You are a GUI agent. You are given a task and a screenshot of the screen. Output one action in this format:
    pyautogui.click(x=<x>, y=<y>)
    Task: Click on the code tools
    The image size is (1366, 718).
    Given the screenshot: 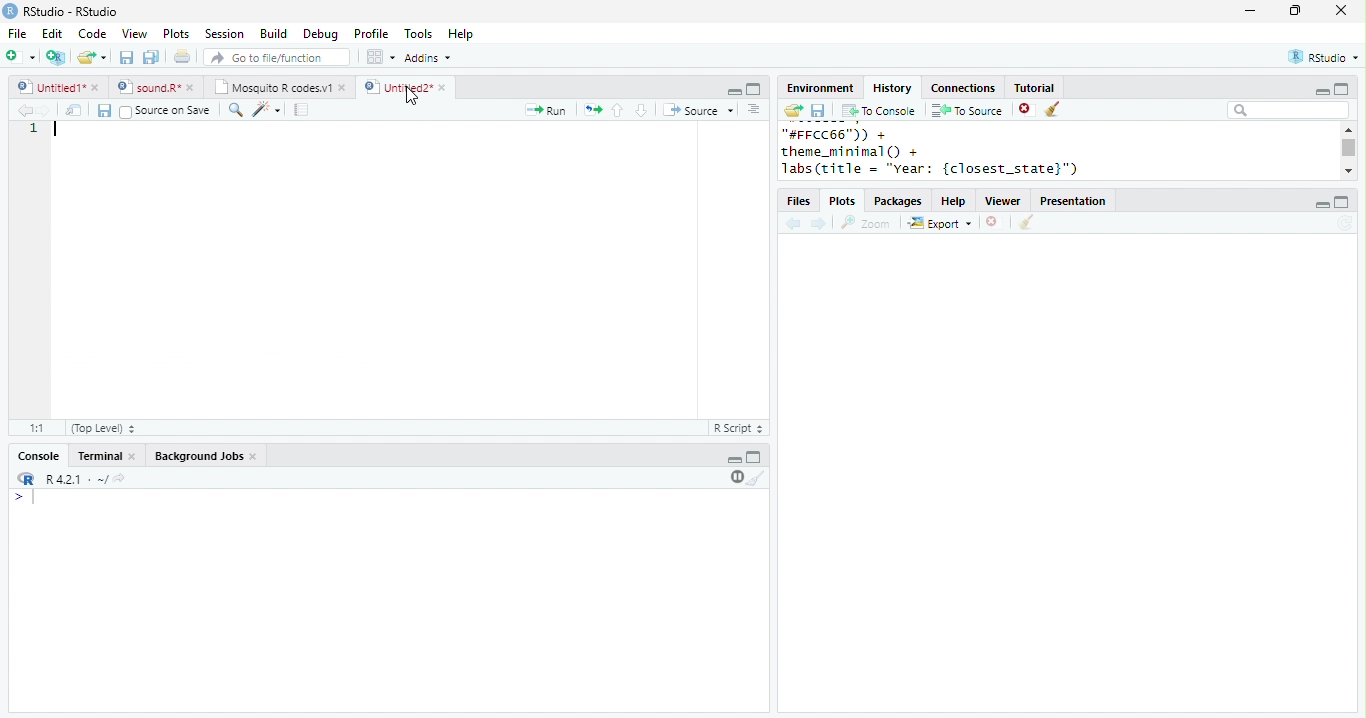 What is the action you would take?
    pyautogui.click(x=267, y=109)
    